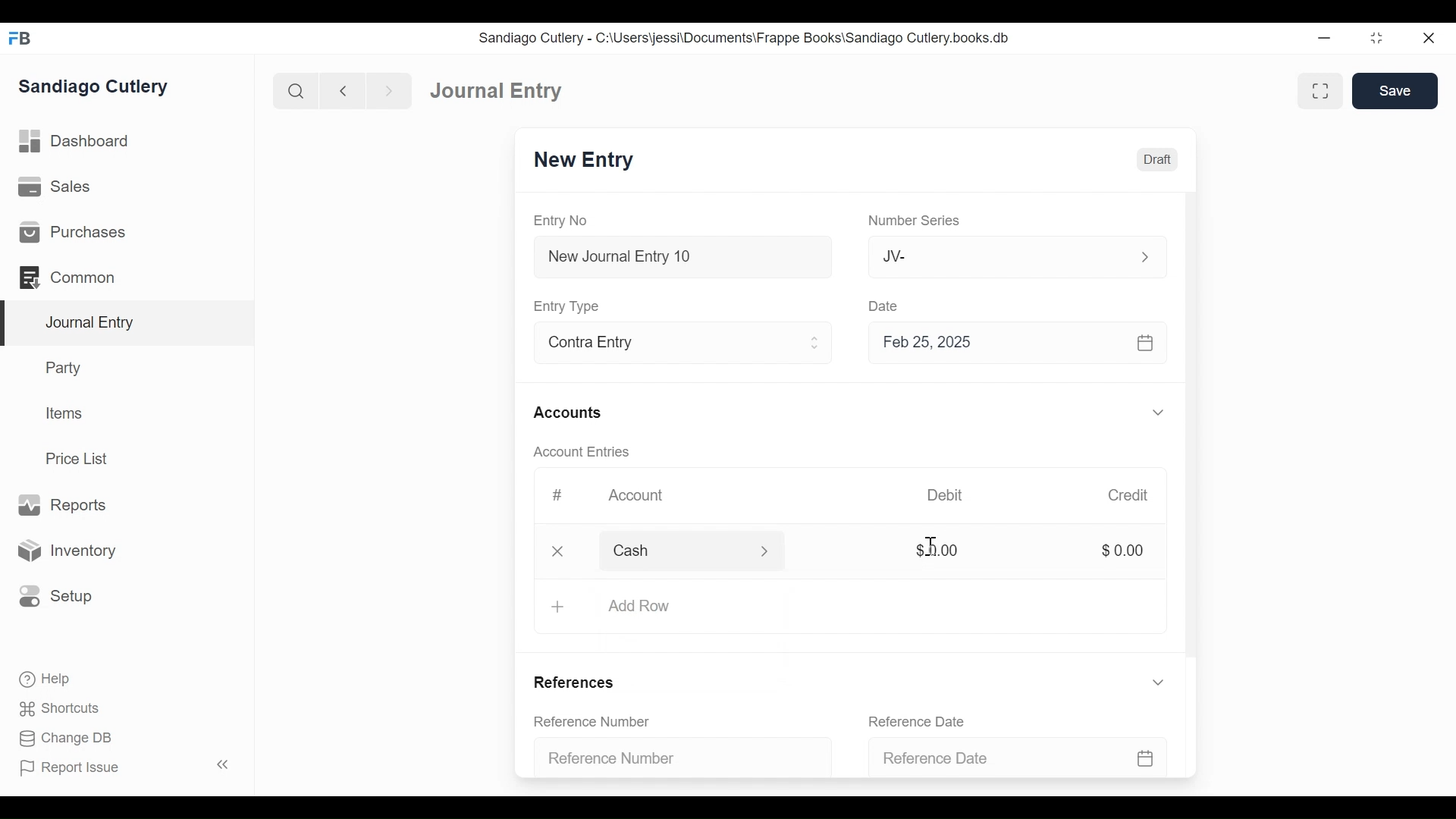 This screenshot has height=819, width=1456. I want to click on Account Entries, so click(588, 452).